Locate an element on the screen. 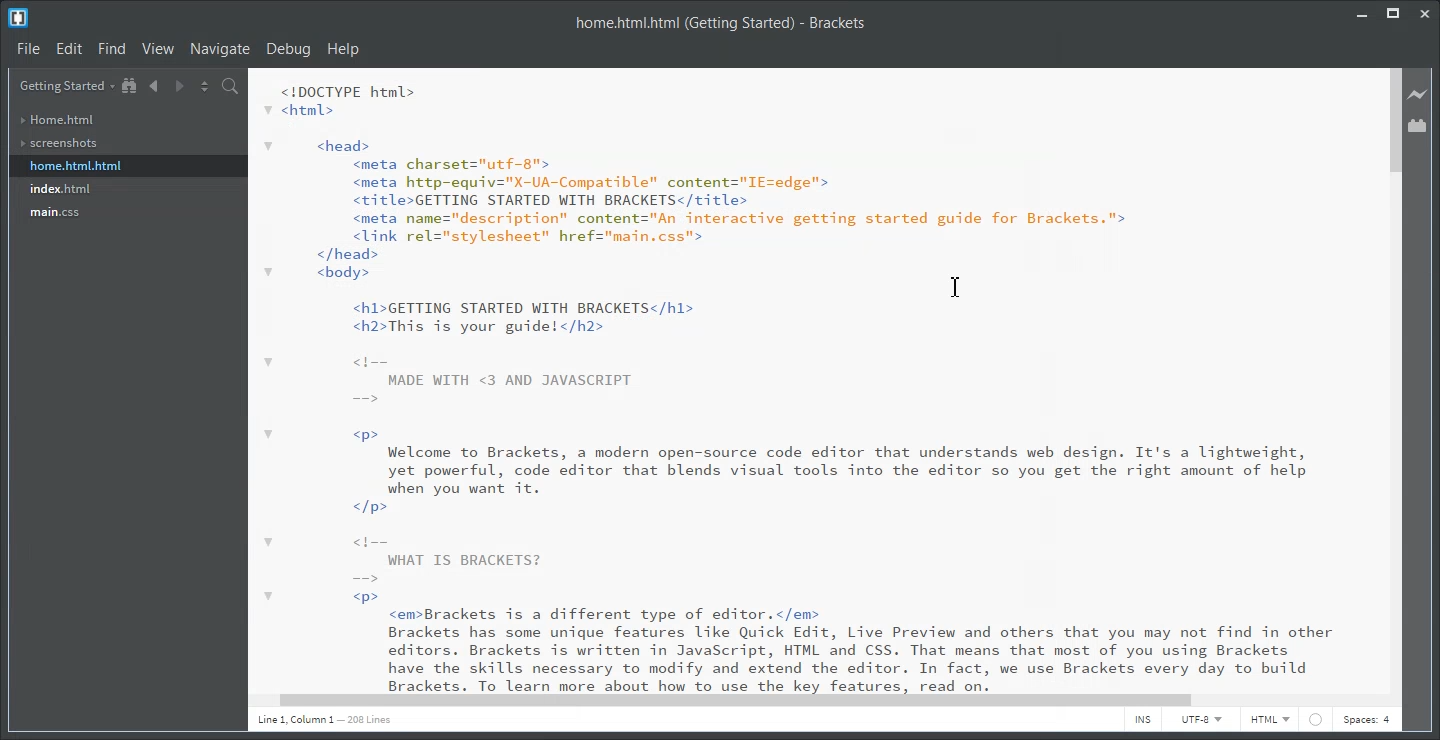  File is located at coordinates (29, 49).